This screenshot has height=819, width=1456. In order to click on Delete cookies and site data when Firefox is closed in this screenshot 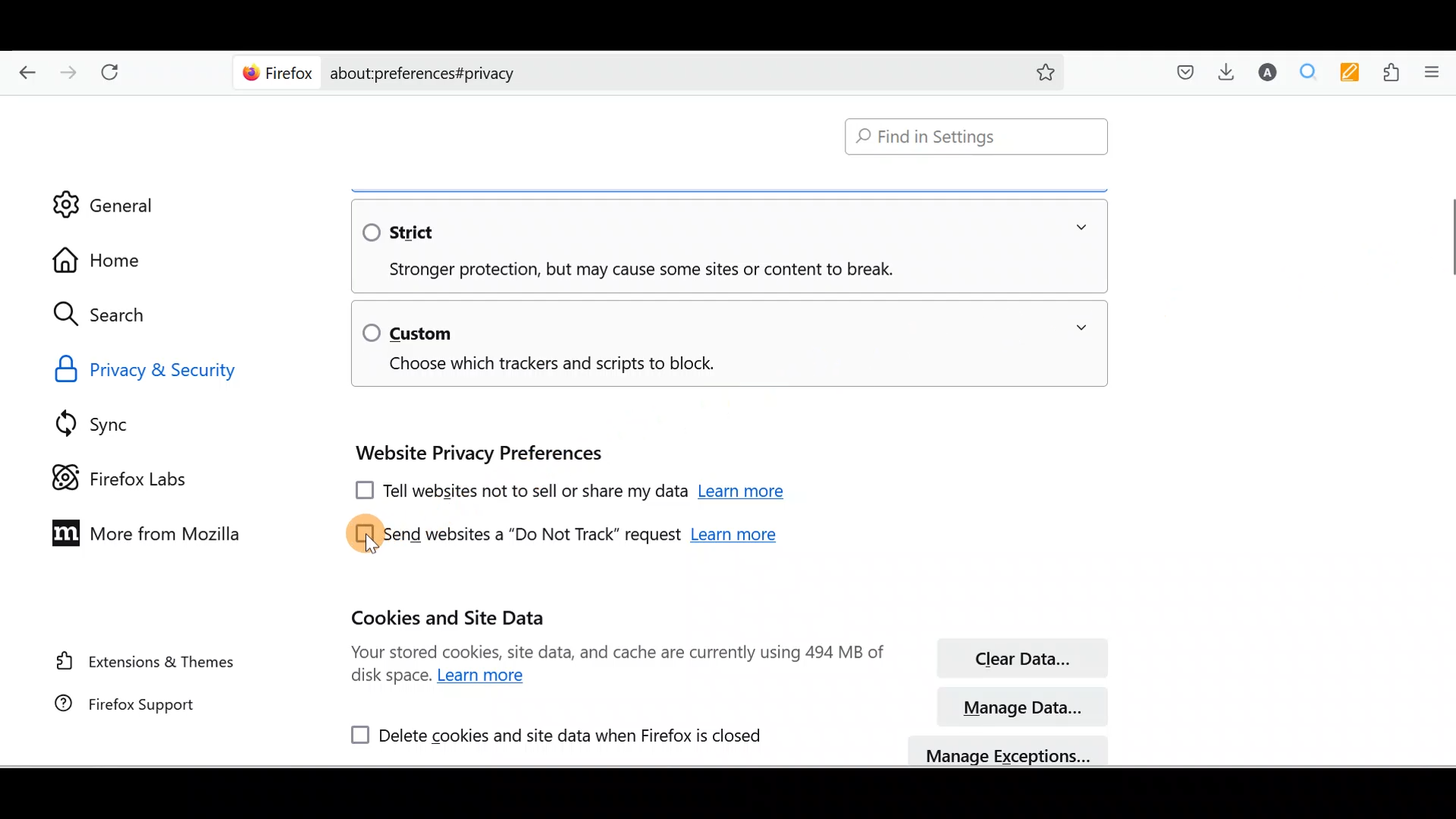, I will do `click(548, 733)`.